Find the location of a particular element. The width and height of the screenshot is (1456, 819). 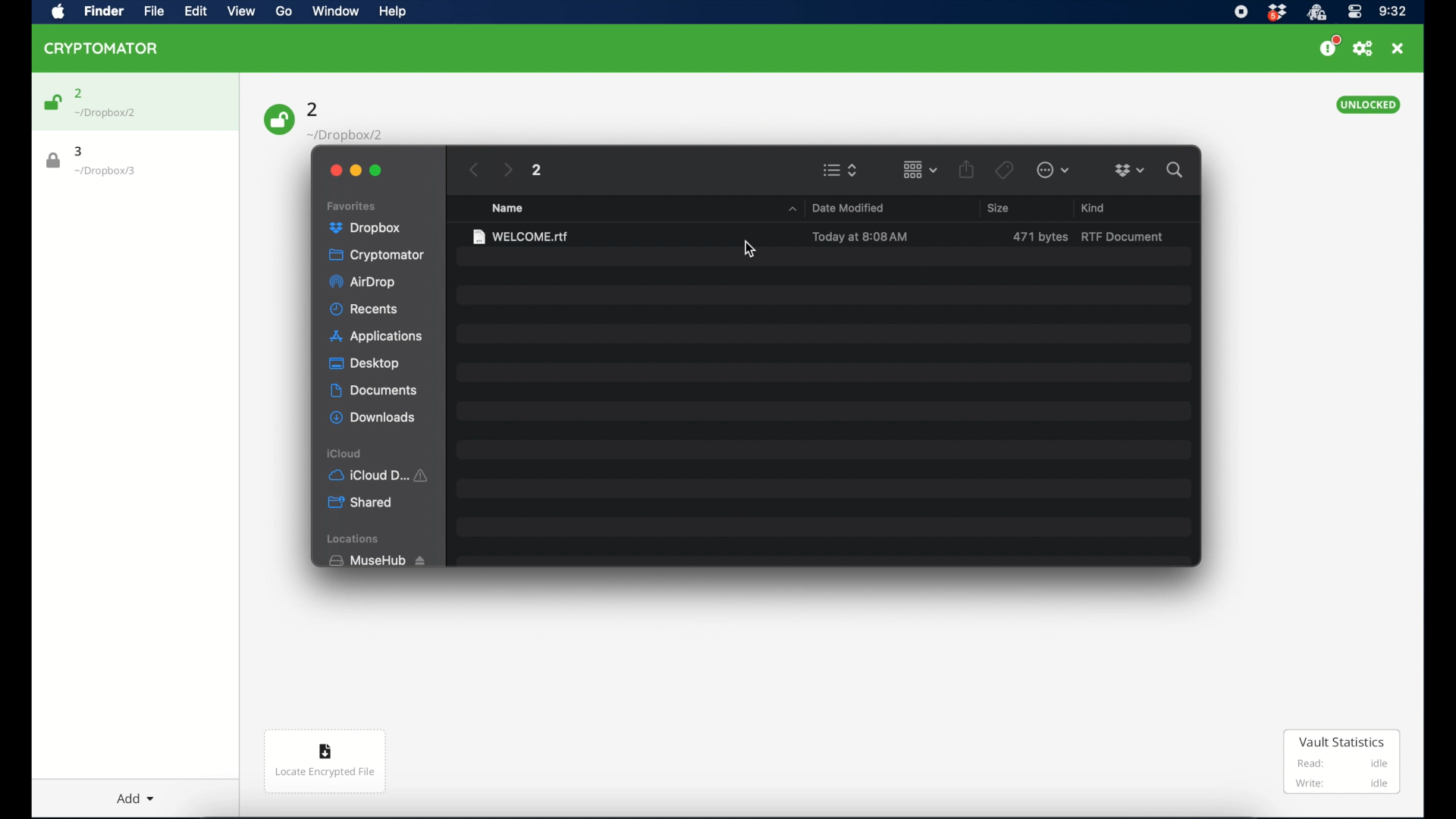

preferences is located at coordinates (1364, 49).